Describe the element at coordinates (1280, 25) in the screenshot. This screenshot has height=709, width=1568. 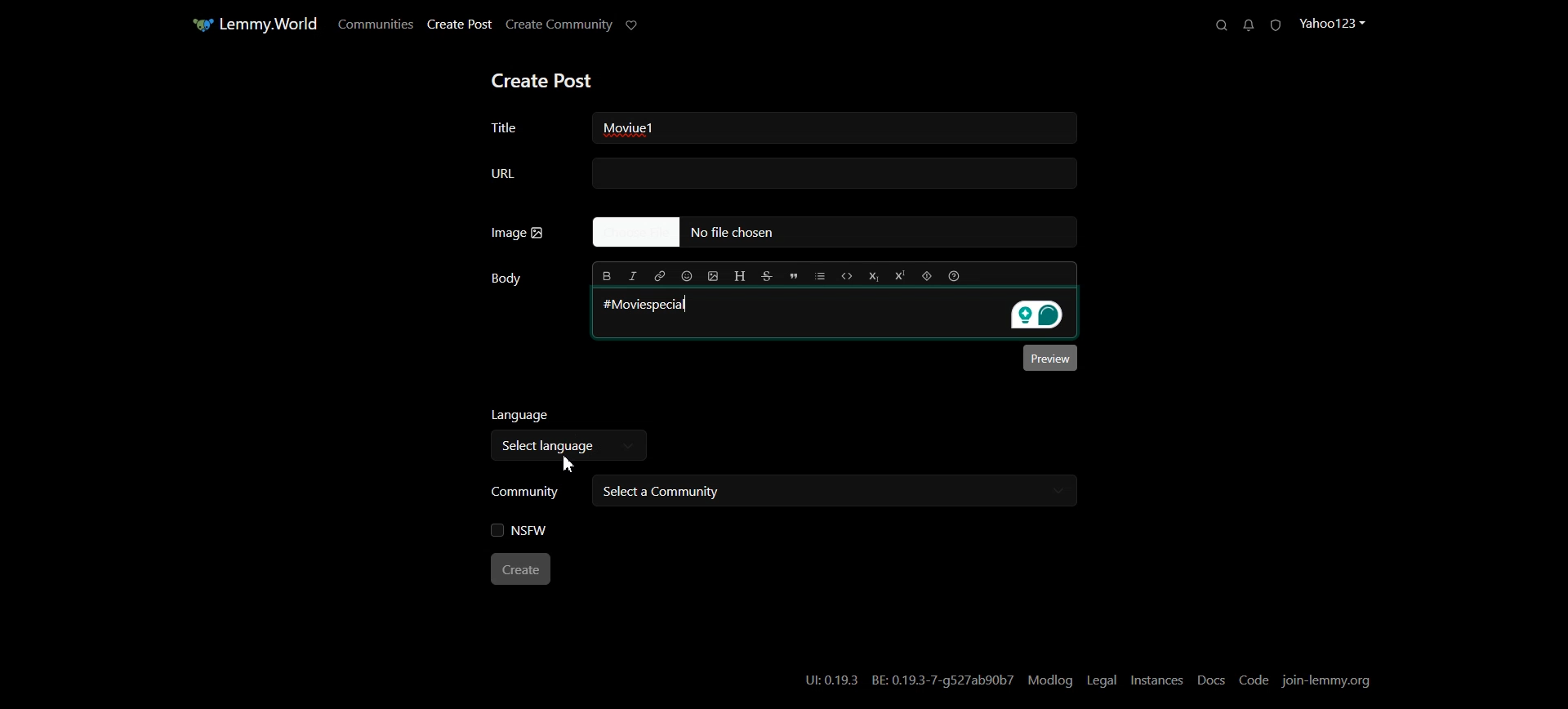
I see `Unread Report` at that location.